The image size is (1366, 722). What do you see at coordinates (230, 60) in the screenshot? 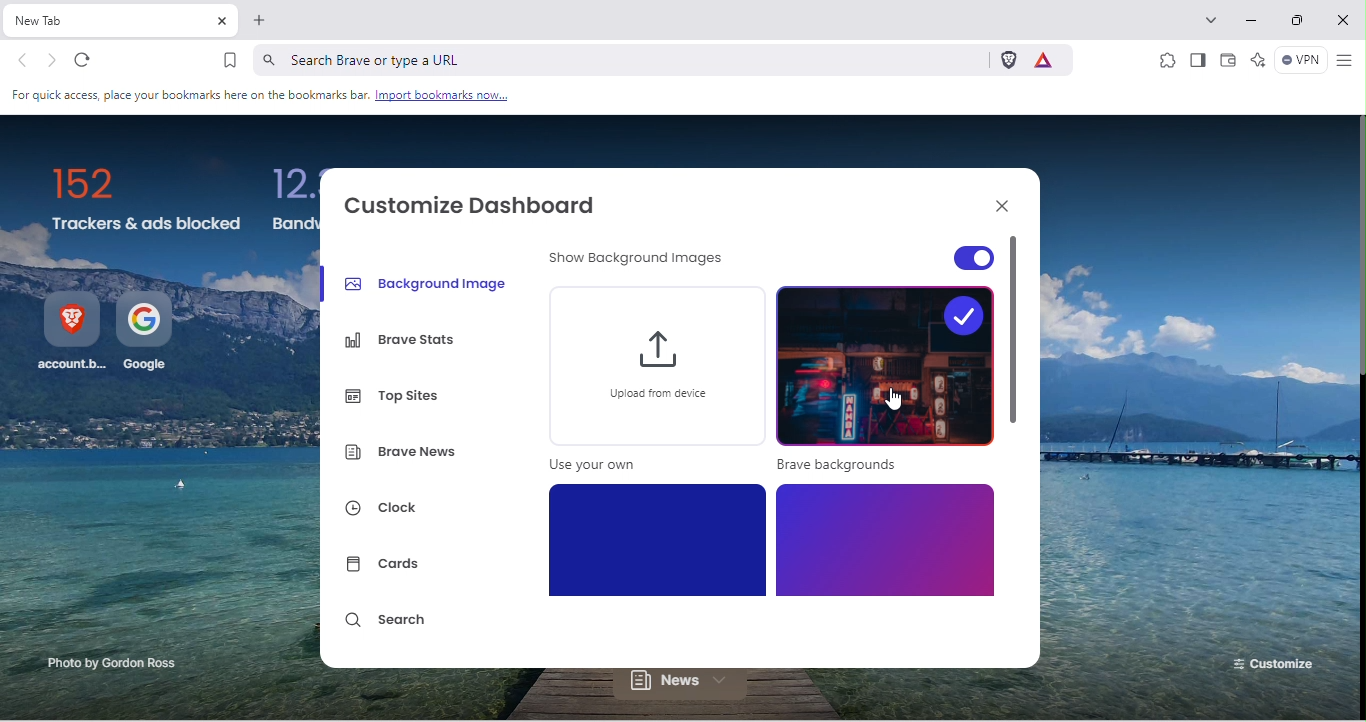
I see `Bookmark` at bounding box center [230, 60].